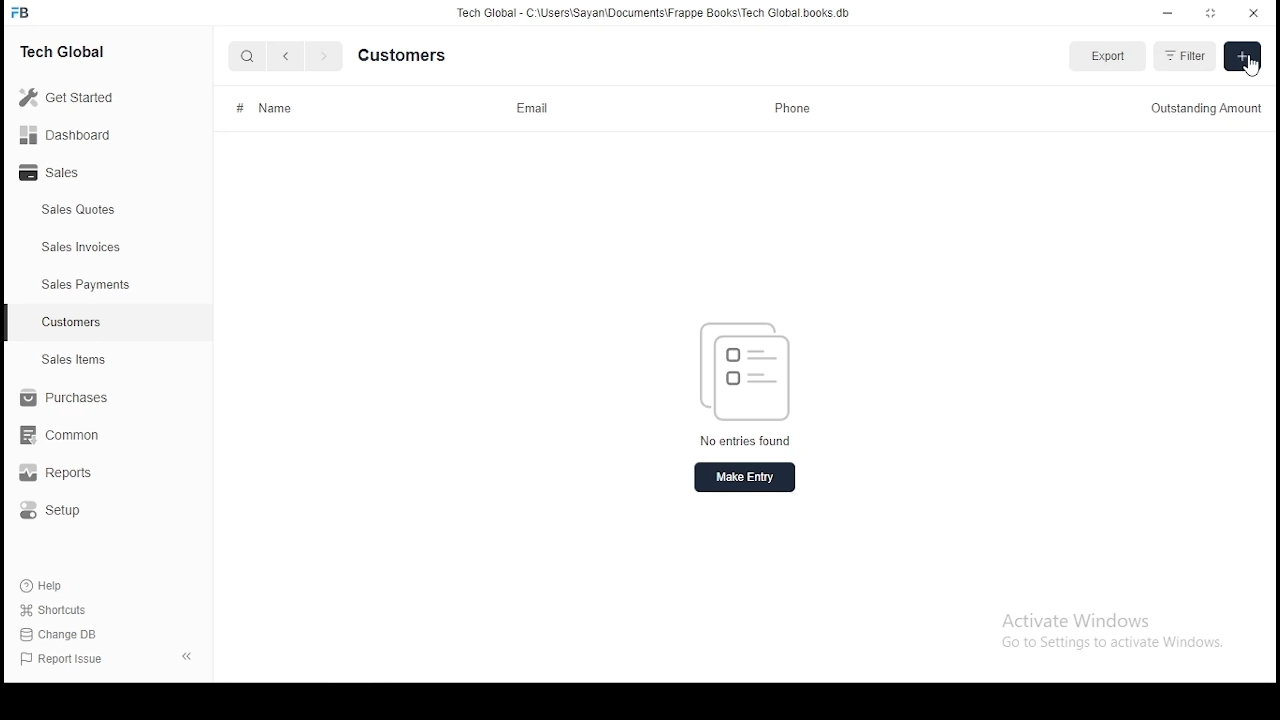  I want to click on dashboard, so click(66, 133).